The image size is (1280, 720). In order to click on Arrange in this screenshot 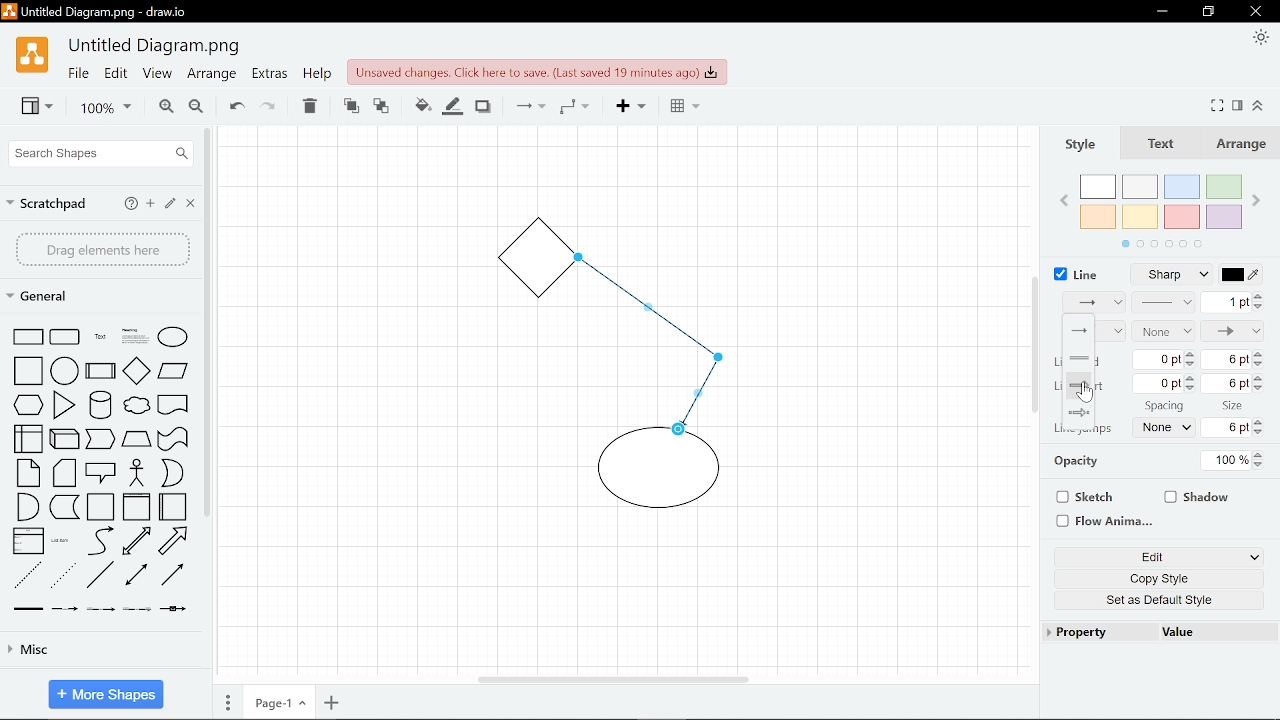, I will do `click(211, 76)`.